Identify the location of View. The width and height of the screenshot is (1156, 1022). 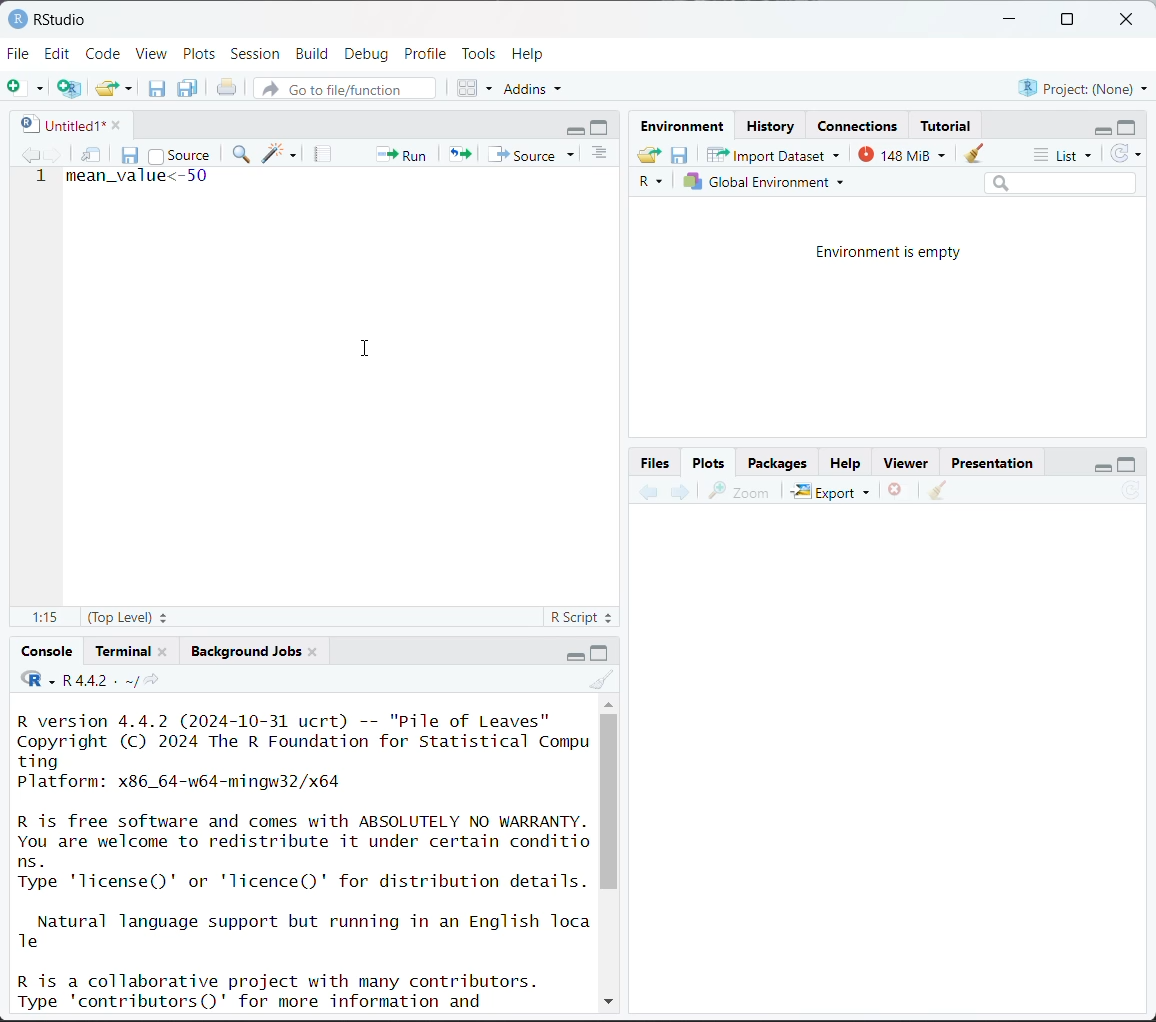
(152, 55).